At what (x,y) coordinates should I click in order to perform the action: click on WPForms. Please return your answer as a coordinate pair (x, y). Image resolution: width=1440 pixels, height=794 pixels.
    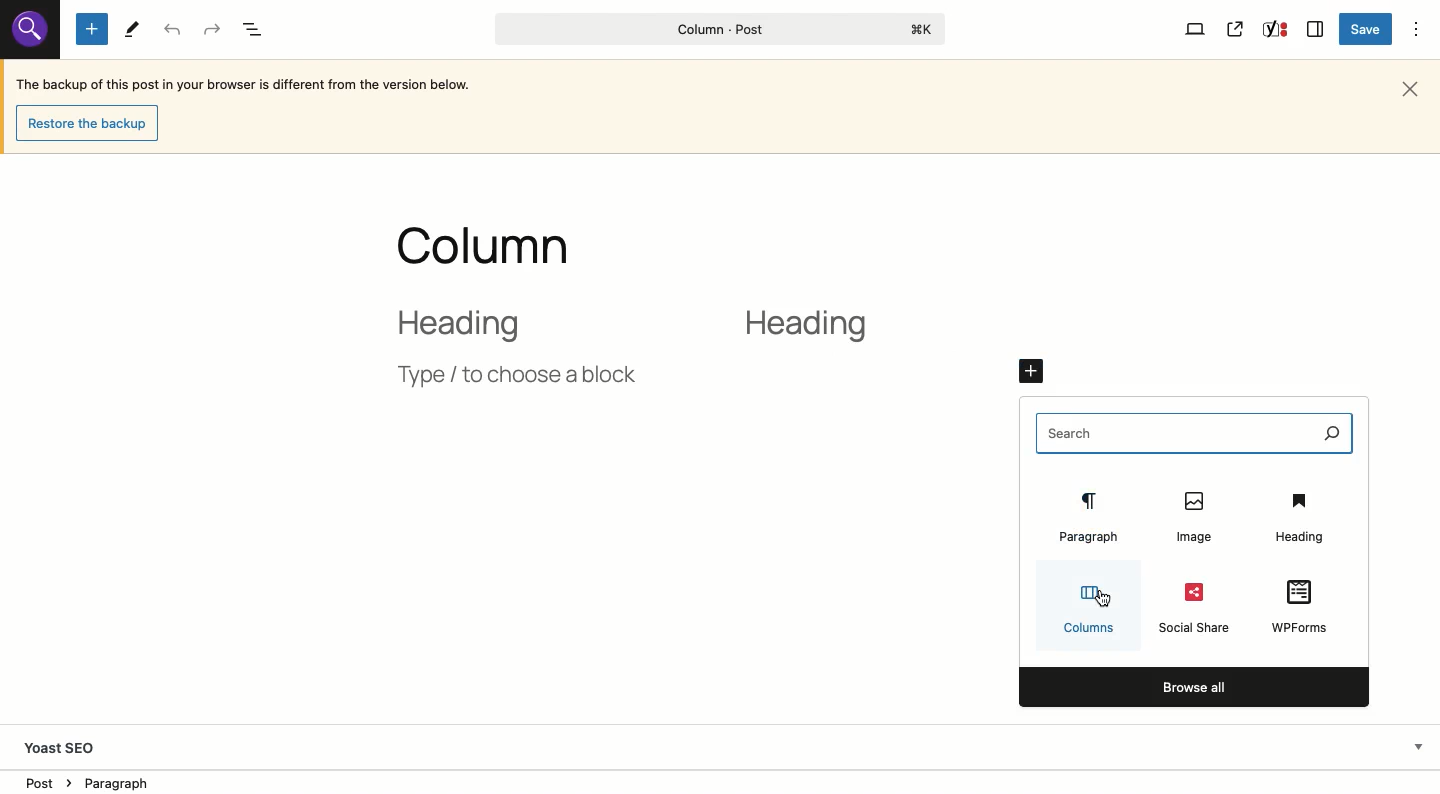
    Looking at the image, I should click on (1298, 604).